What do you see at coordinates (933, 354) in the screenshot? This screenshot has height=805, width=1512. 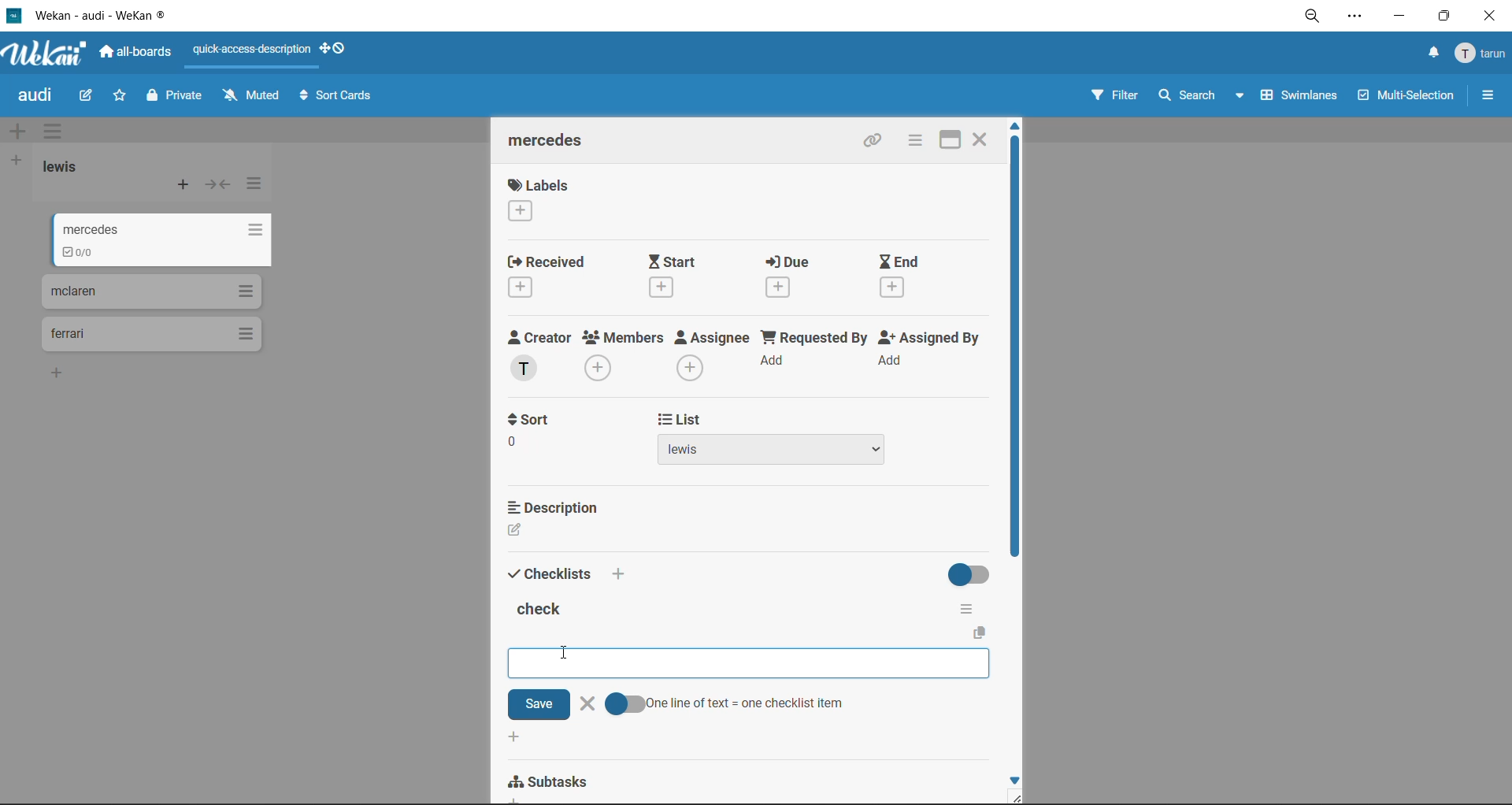 I see `assigned by` at bounding box center [933, 354].